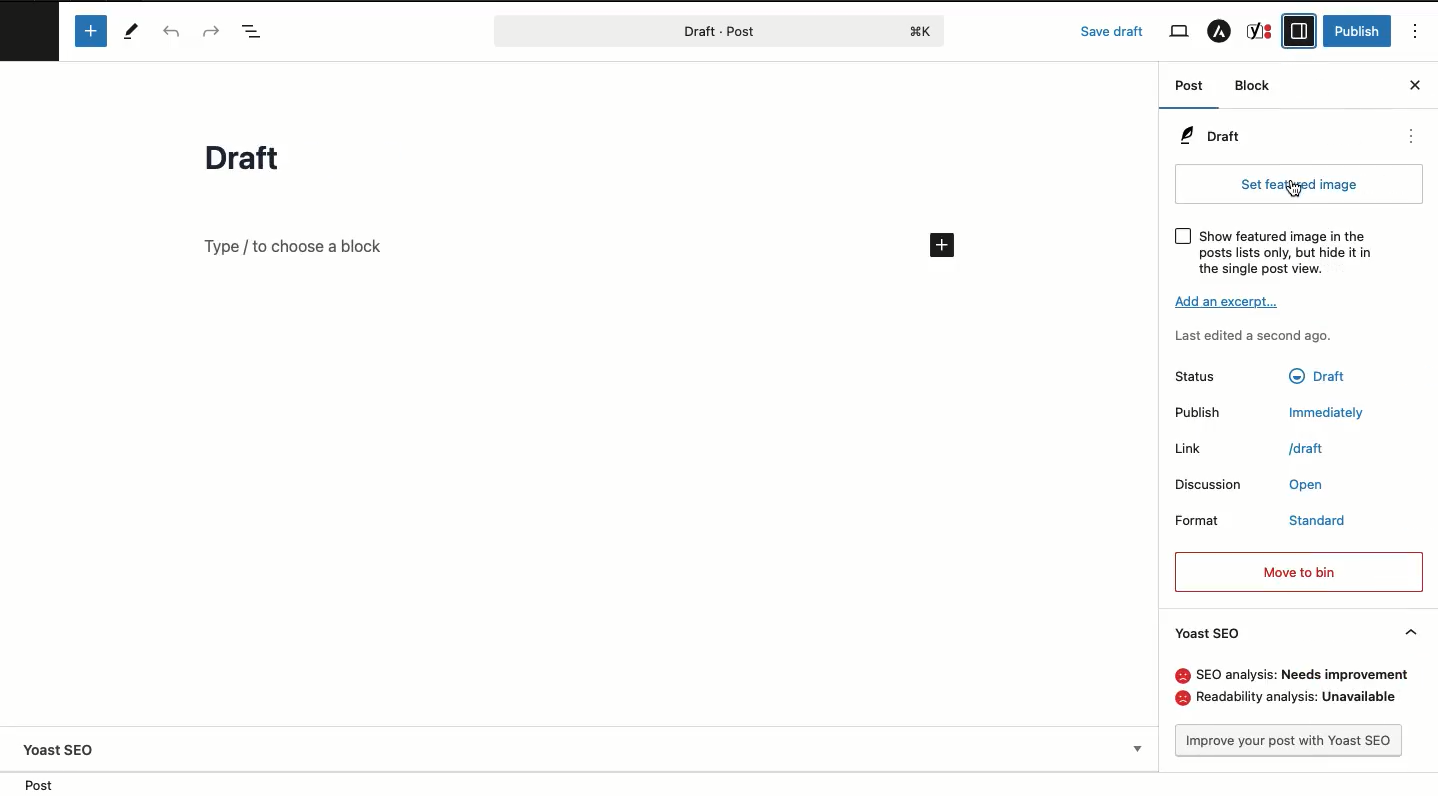 The width and height of the screenshot is (1438, 796). What do you see at coordinates (1328, 412) in the screenshot?
I see `text` at bounding box center [1328, 412].